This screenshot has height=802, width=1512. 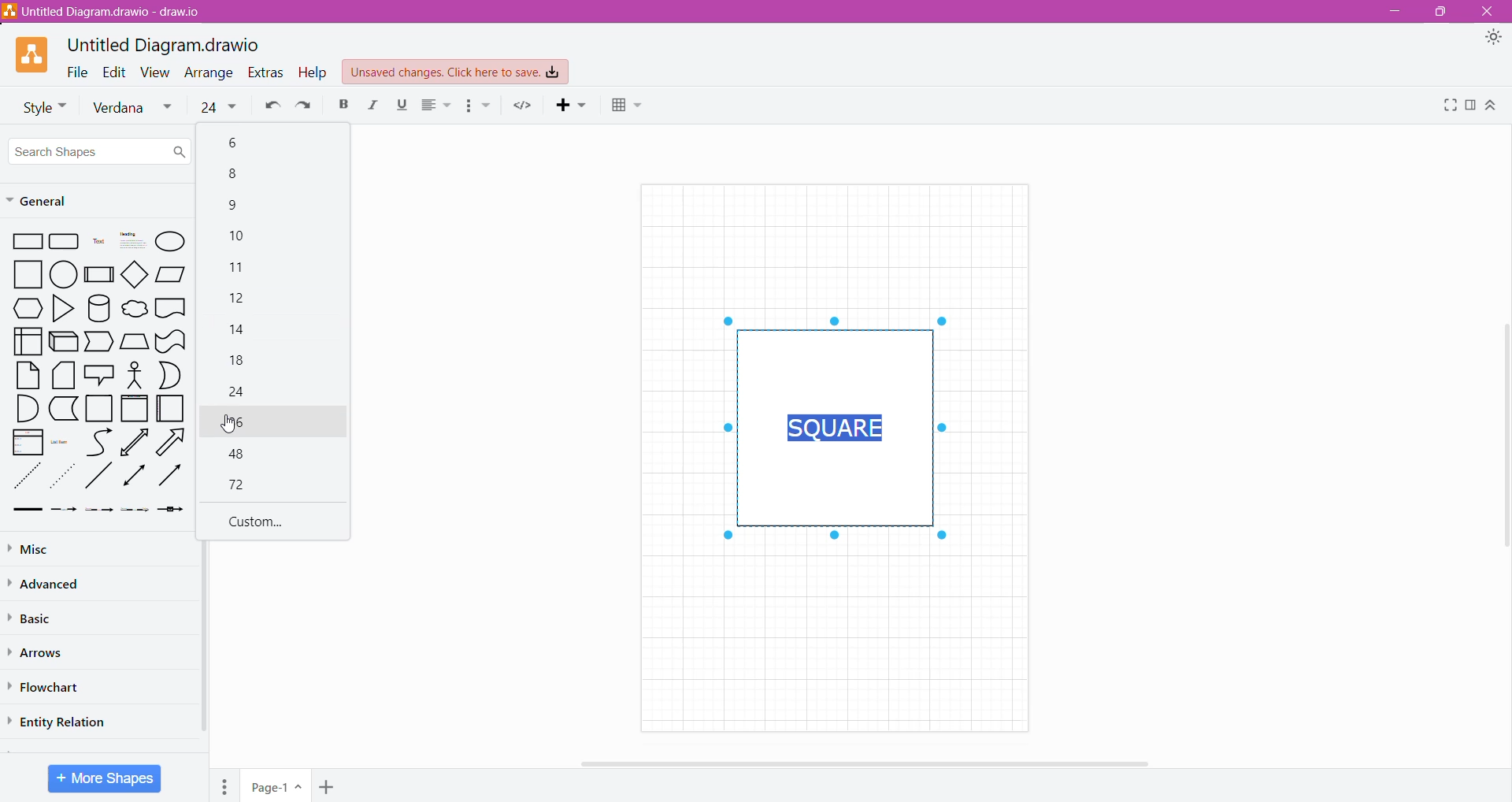 What do you see at coordinates (235, 268) in the screenshot?
I see `11` at bounding box center [235, 268].